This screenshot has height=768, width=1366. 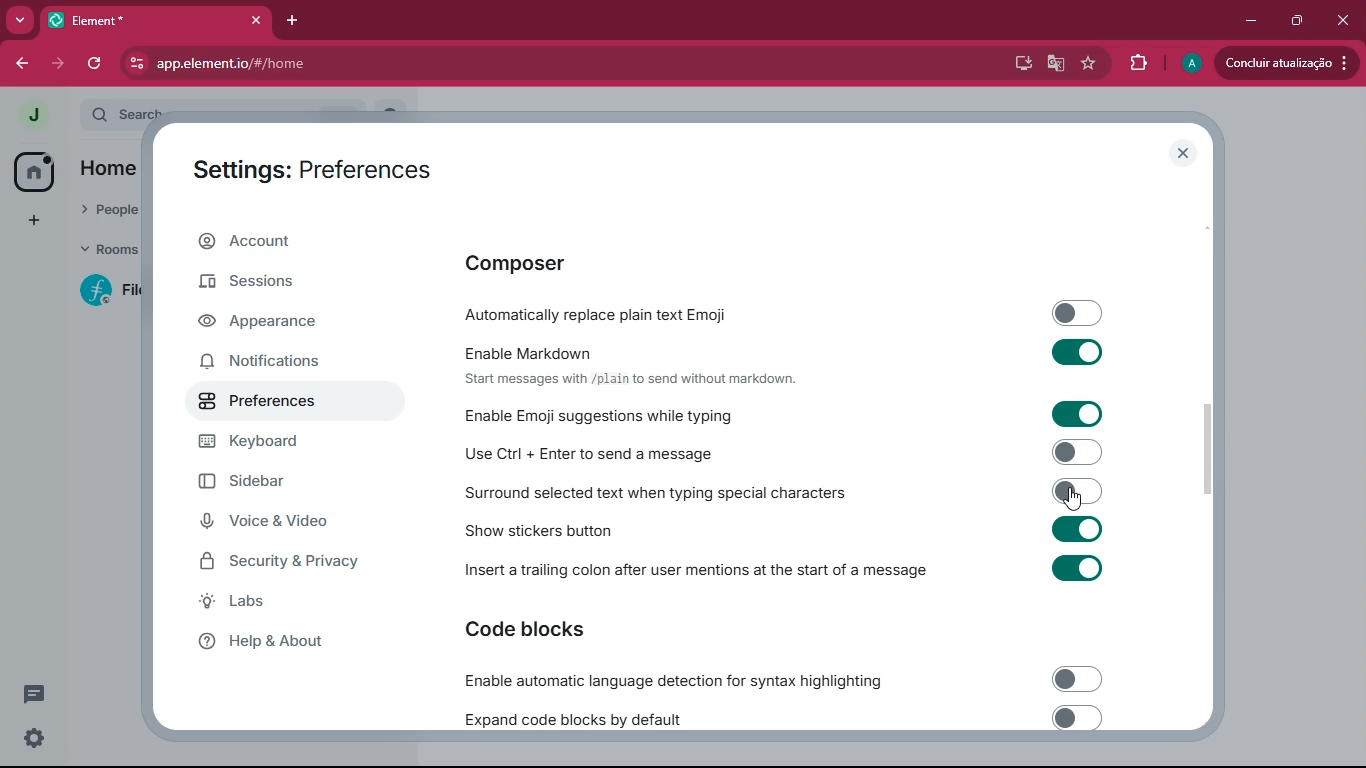 What do you see at coordinates (775, 679) in the screenshot?
I see `Enable automatic language detection for syntax highlighting ` at bounding box center [775, 679].